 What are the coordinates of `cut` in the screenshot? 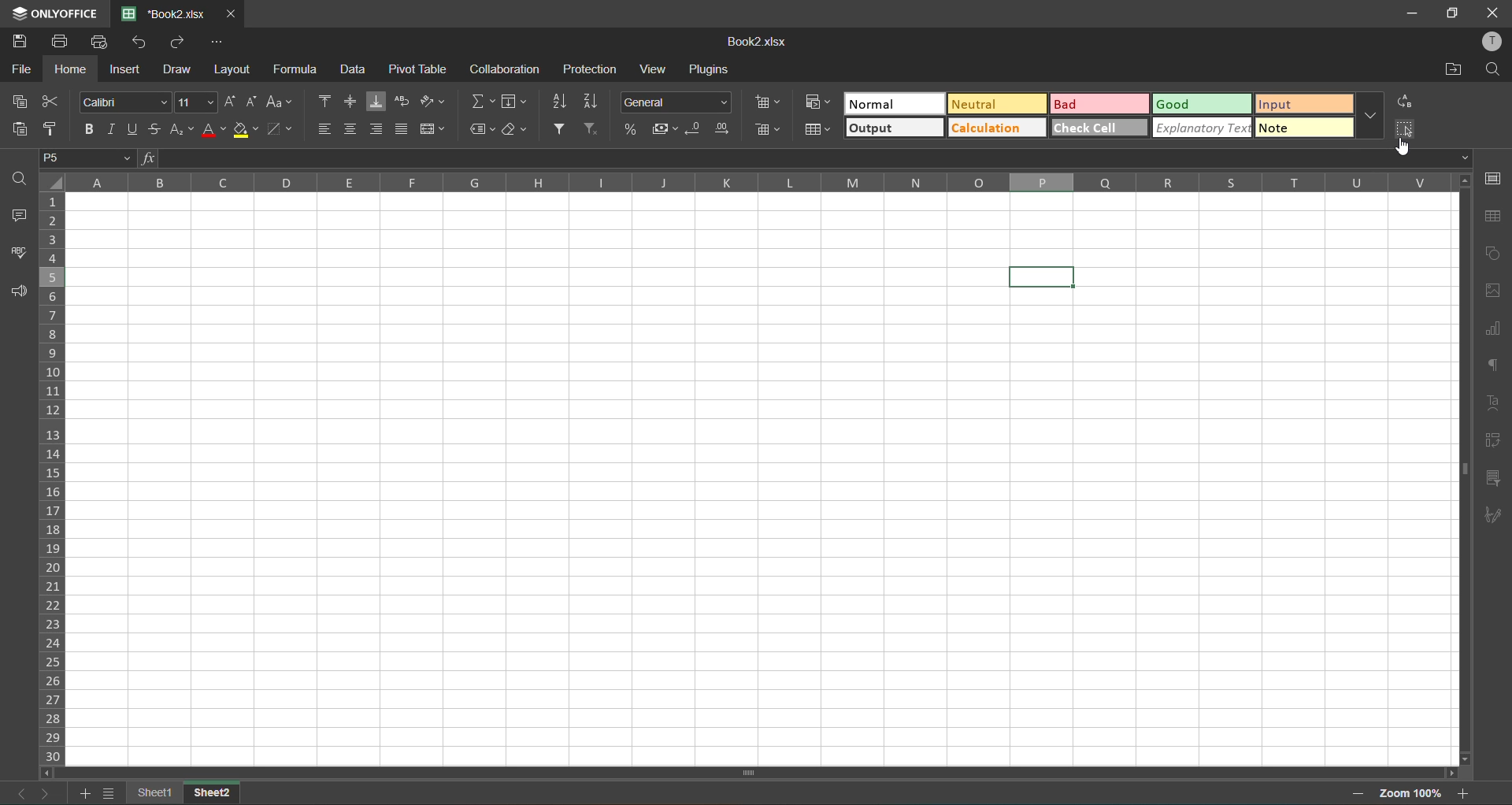 It's located at (51, 103).